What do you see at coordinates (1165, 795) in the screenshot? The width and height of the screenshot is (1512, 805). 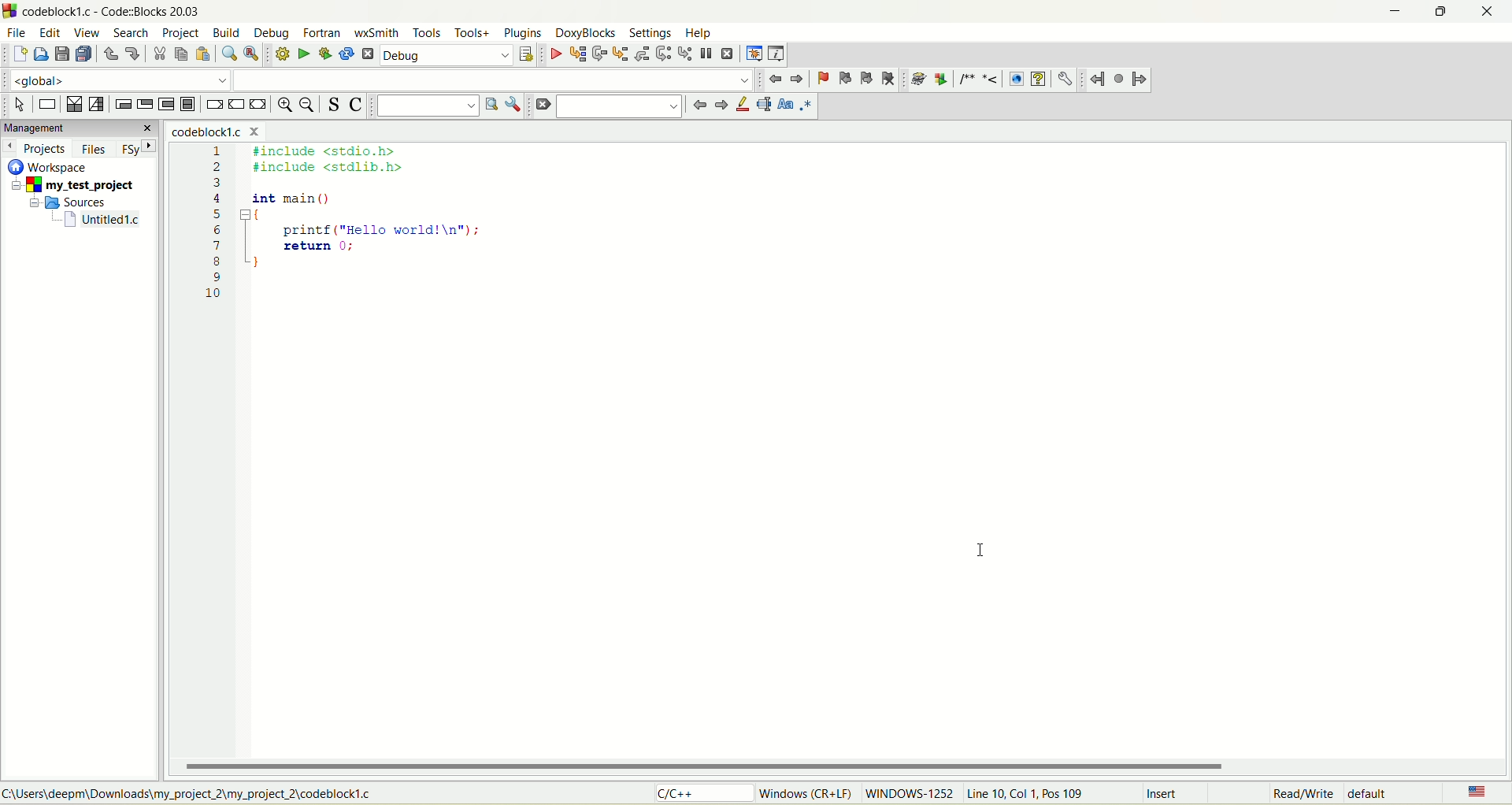 I see `insert` at bounding box center [1165, 795].